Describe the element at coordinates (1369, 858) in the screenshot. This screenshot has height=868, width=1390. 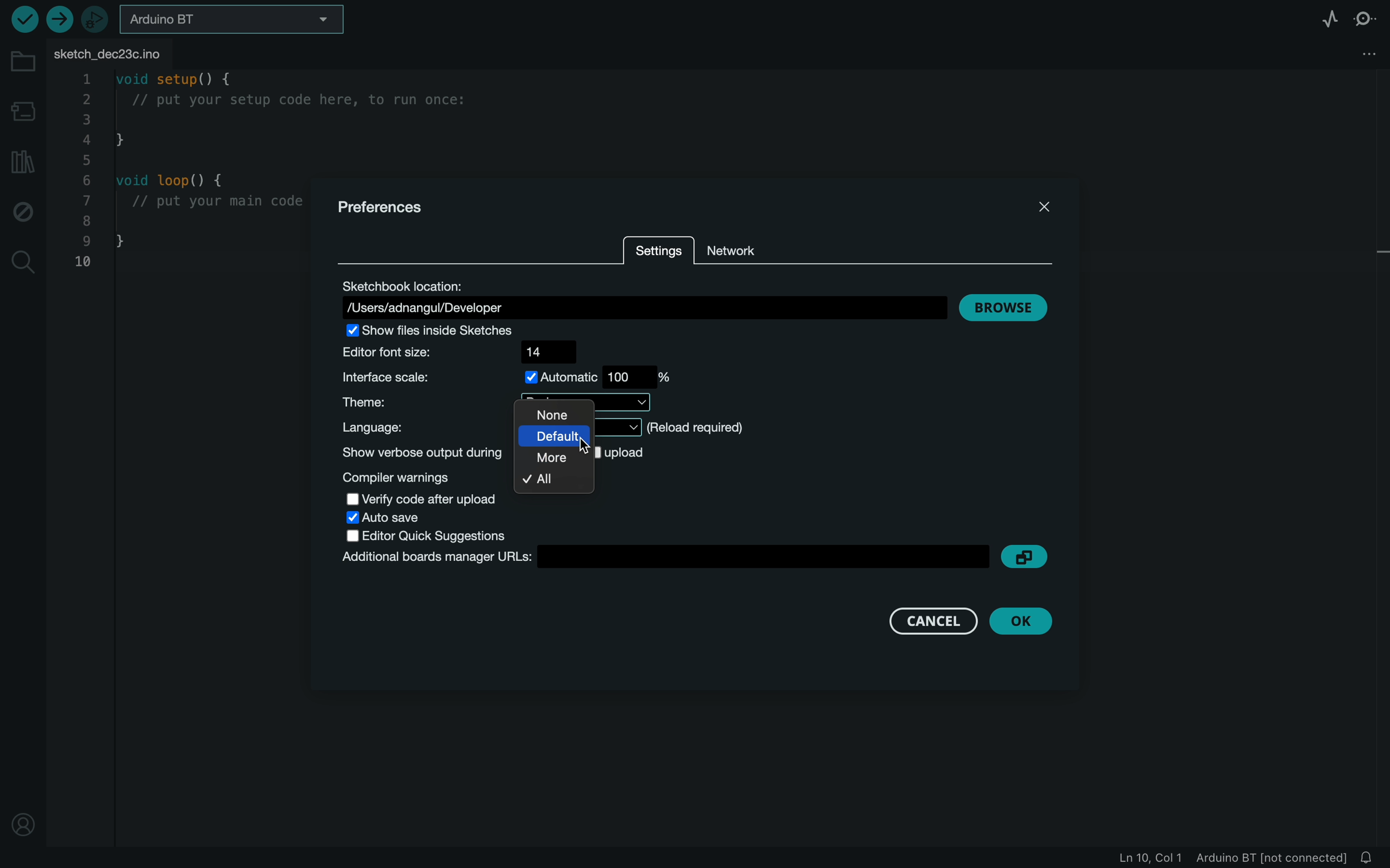
I see `notification` at that location.